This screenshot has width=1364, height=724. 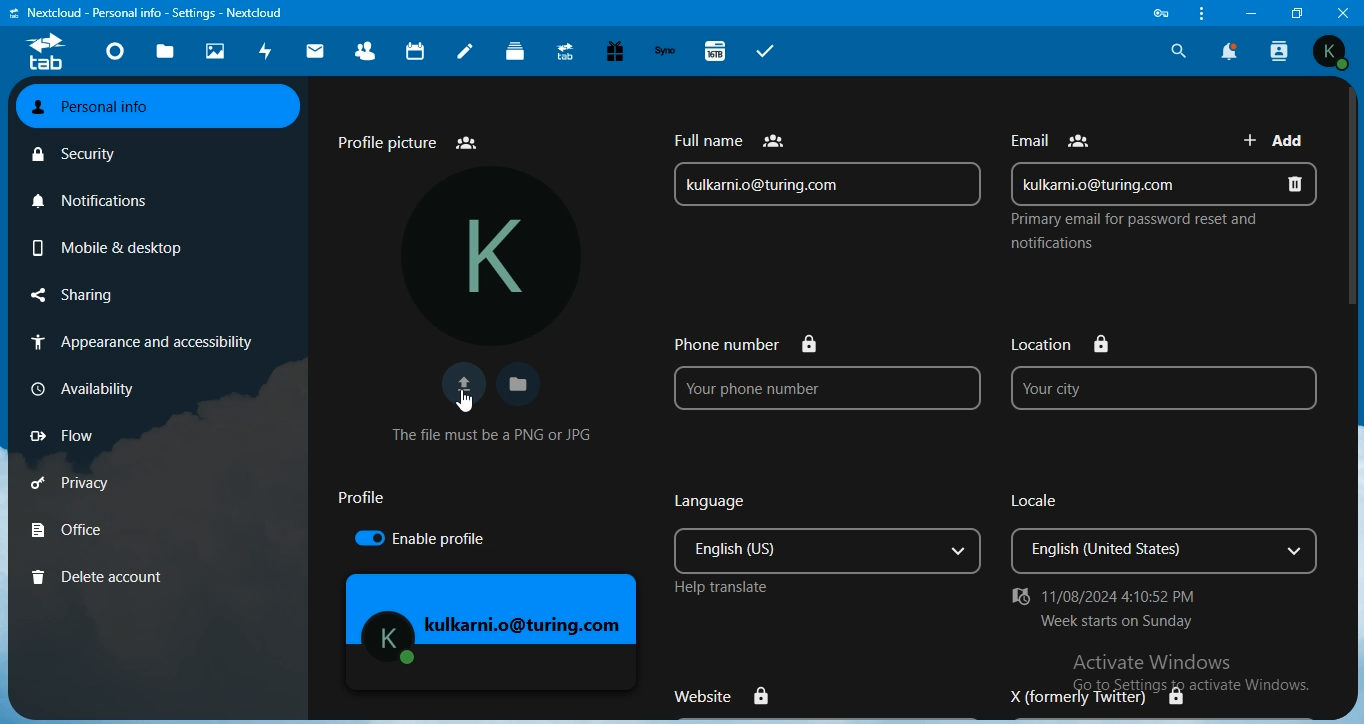 I want to click on language, so click(x=826, y=542).